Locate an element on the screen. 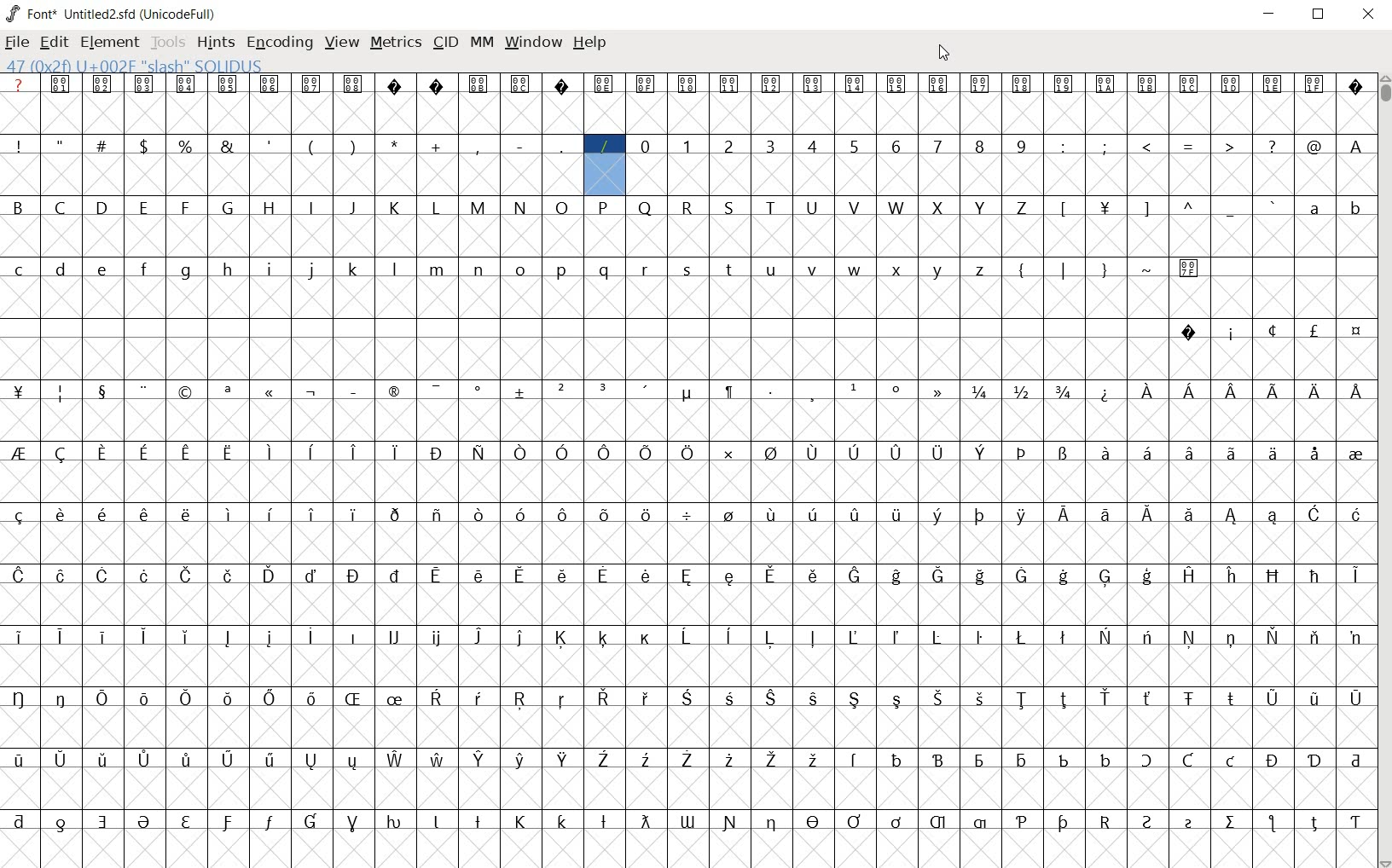  glyph is located at coordinates (855, 207).